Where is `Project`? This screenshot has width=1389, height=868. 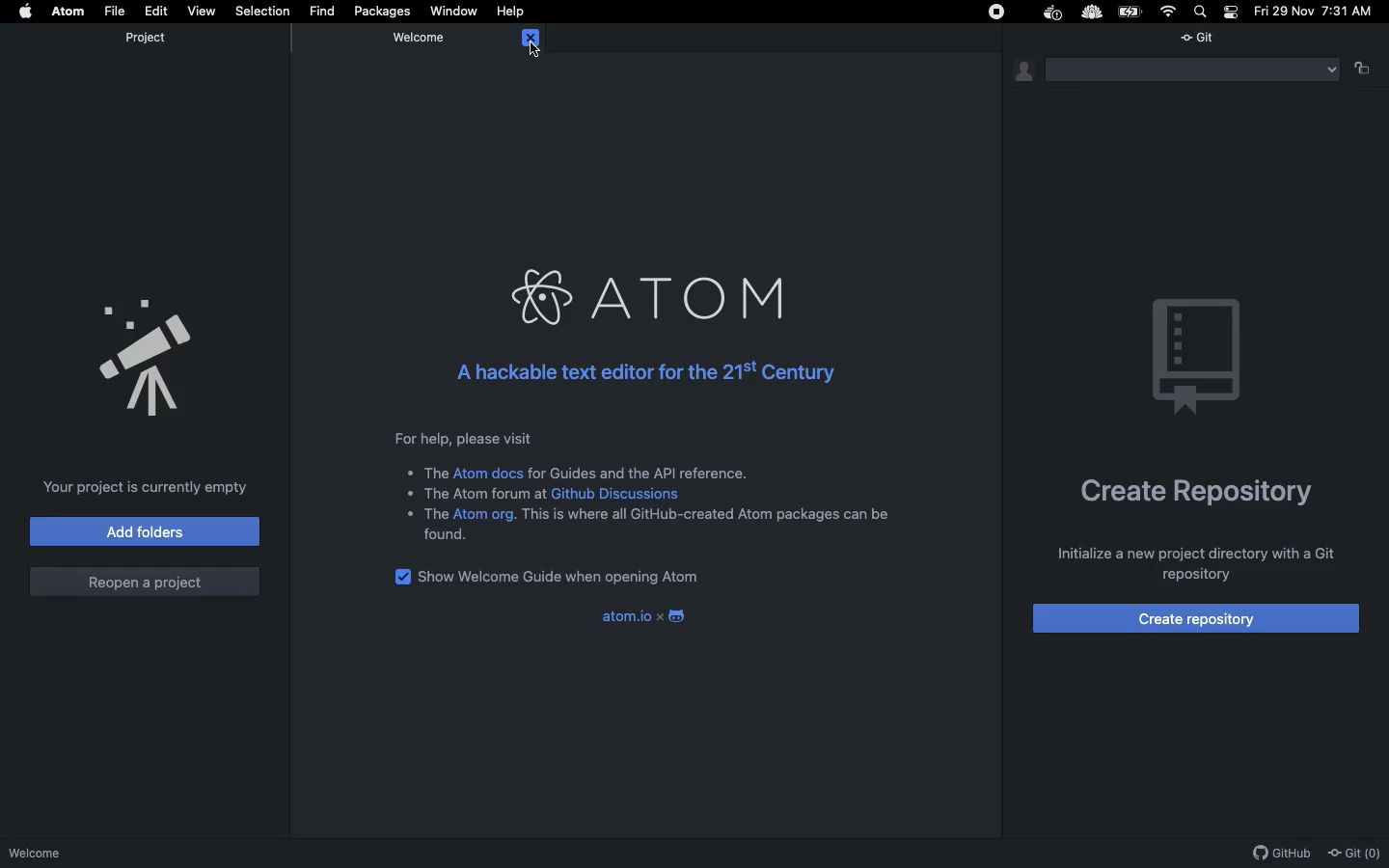 Project is located at coordinates (150, 38).